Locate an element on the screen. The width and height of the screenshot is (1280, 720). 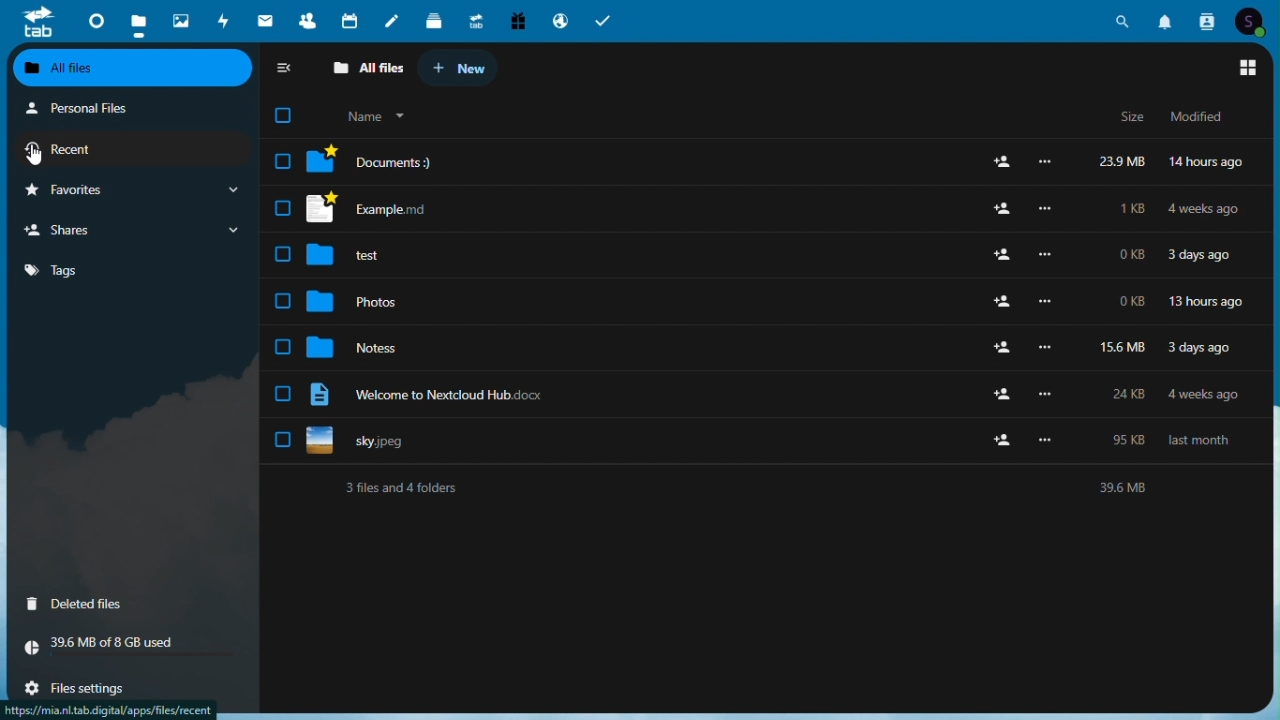
notess is located at coordinates (360, 348).